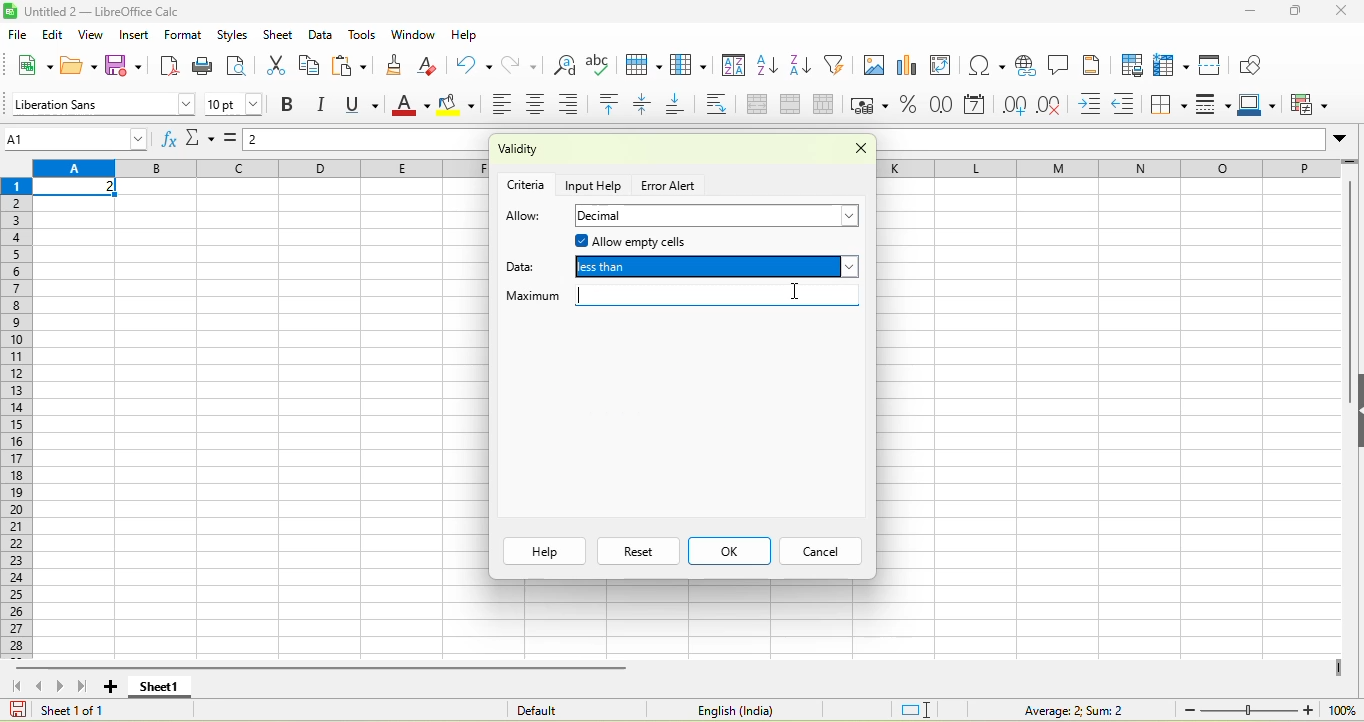 The height and width of the screenshot is (722, 1364). What do you see at coordinates (500, 106) in the screenshot?
I see `align left` at bounding box center [500, 106].